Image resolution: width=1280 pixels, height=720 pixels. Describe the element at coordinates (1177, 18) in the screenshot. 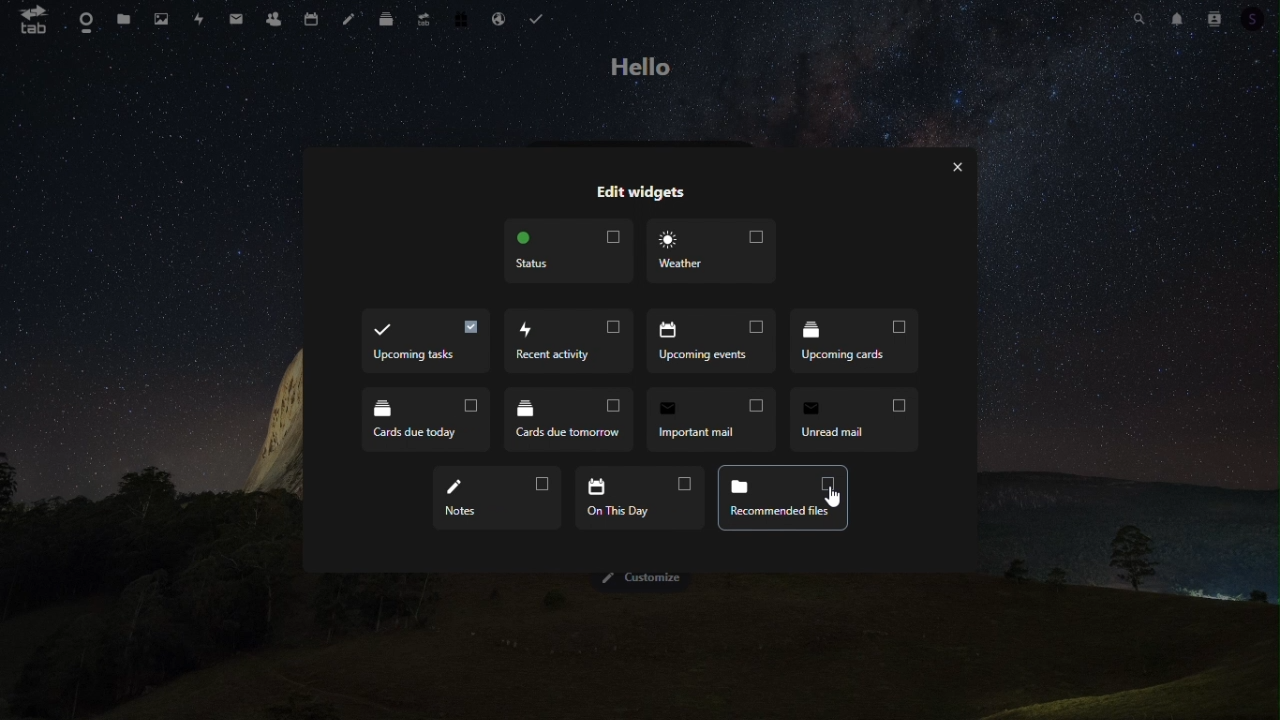

I see `notifications` at that location.